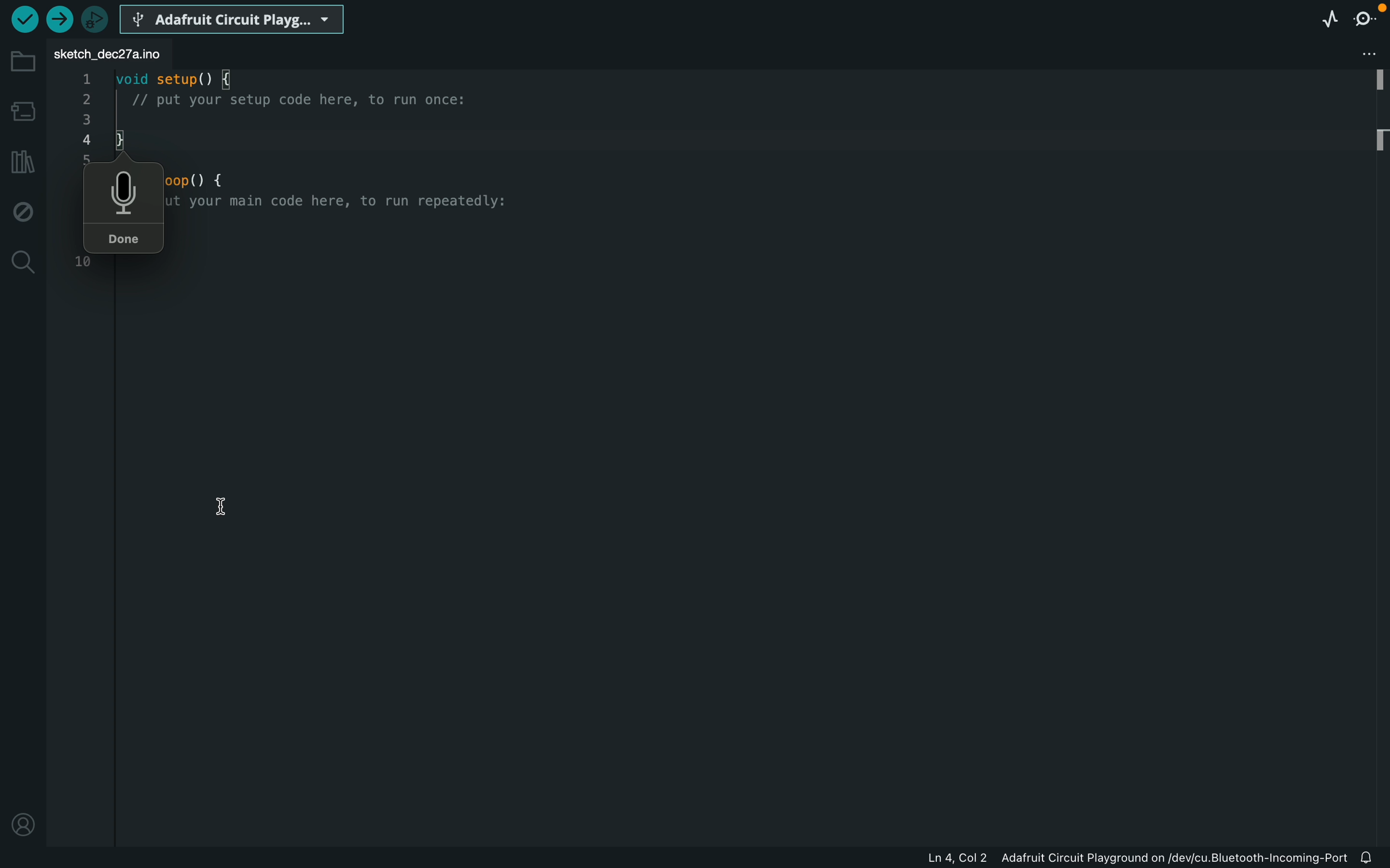 Image resolution: width=1390 pixels, height=868 pixels. Describe the element at coordinates (20, 161) in the screenshot. I see `library  manager` at that location.